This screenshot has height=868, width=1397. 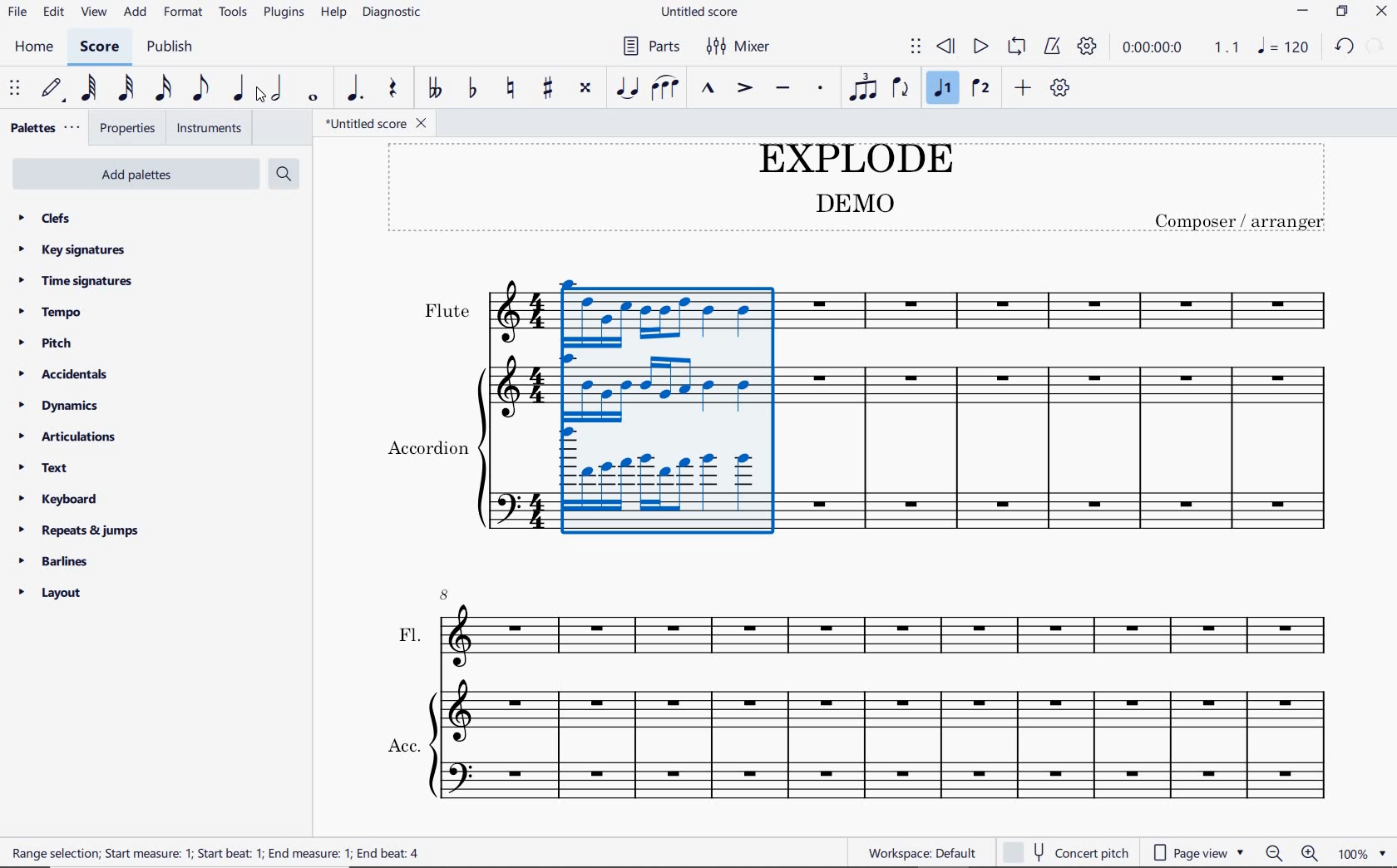 What do you see at coordinates (204, 90) in the screenshot?
I see `eighth note` at bounding box center [204, 90].